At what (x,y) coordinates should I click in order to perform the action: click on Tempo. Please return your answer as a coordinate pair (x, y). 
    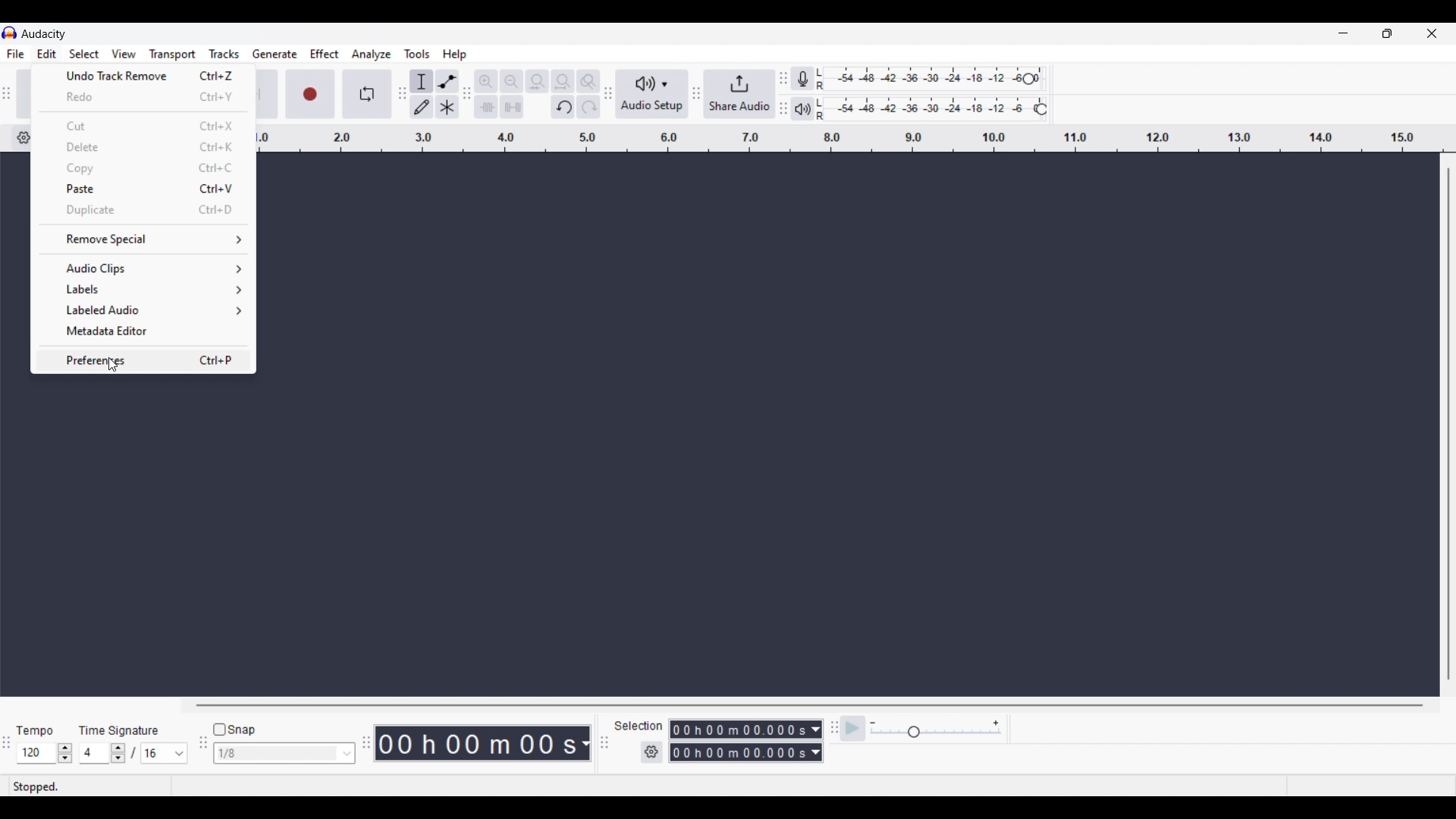
    Looking at the image, I should click on (34, 730).